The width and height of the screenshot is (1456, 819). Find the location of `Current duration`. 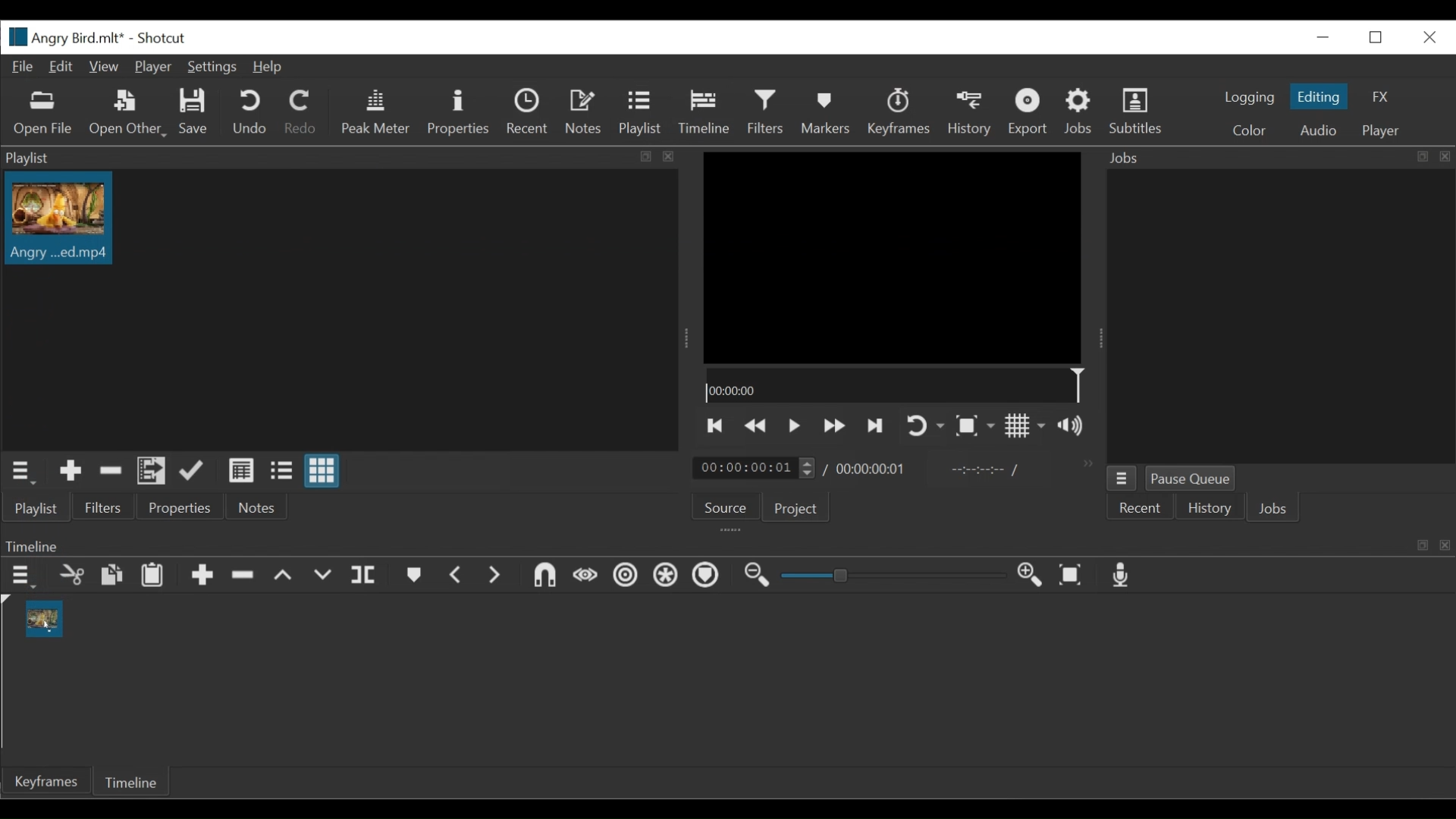

Current duration is located at coordinates (755, 469).